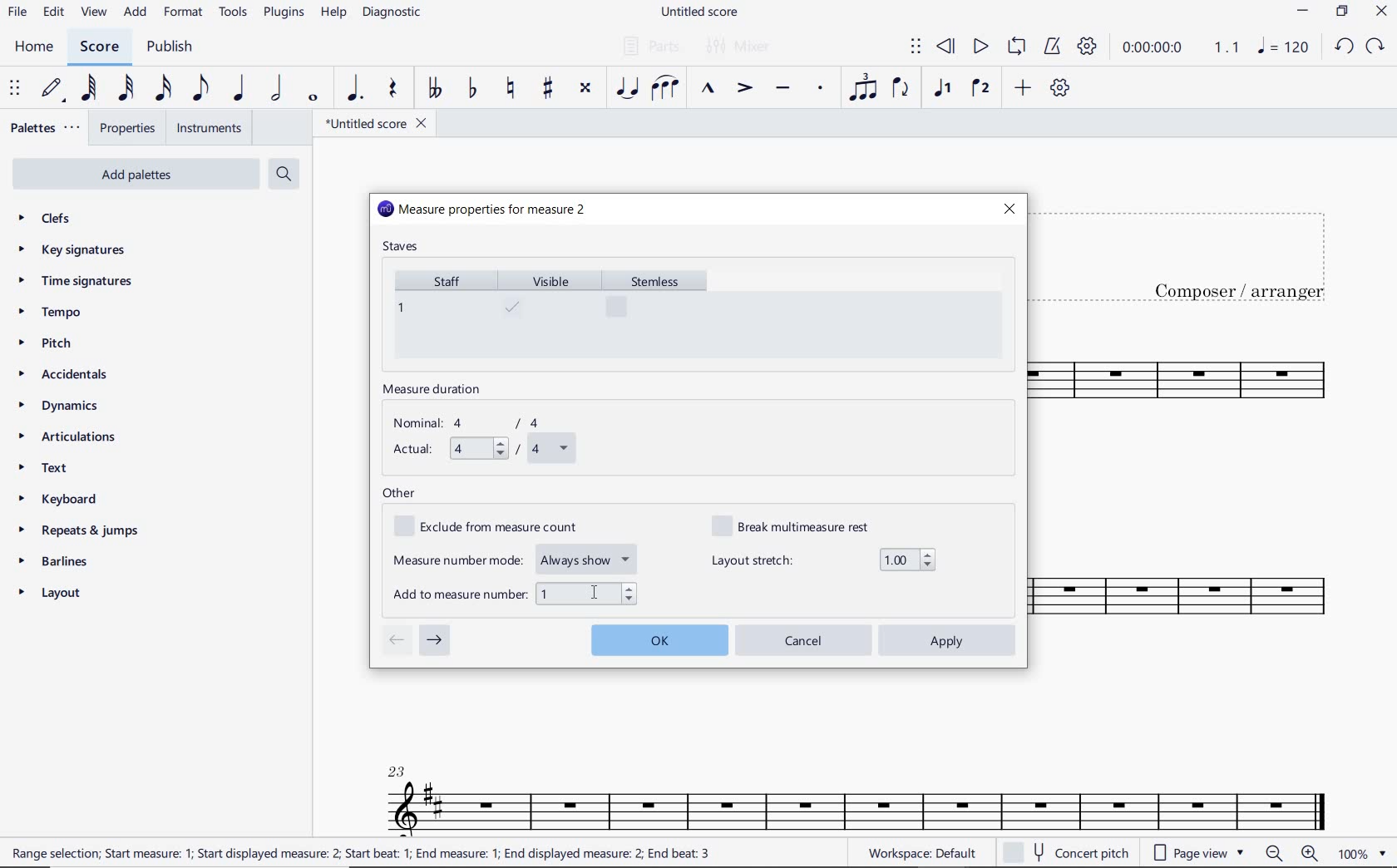  What do you see at coordinates (743, 90) in the screenshot?
I see `ACCENT` at bounding box center [743, 90].